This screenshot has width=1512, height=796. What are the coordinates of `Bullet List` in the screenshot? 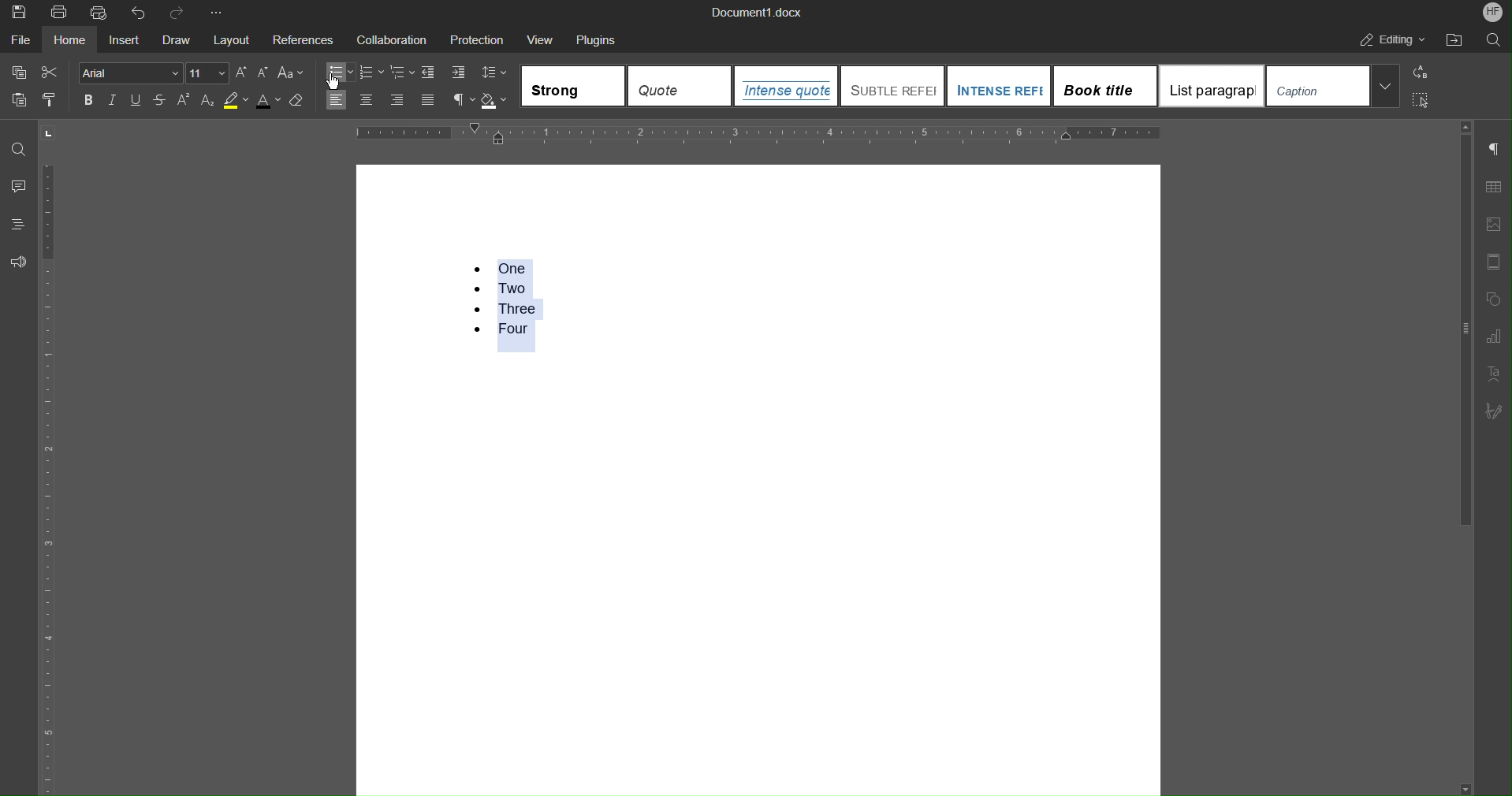 It's located at (341, 72).